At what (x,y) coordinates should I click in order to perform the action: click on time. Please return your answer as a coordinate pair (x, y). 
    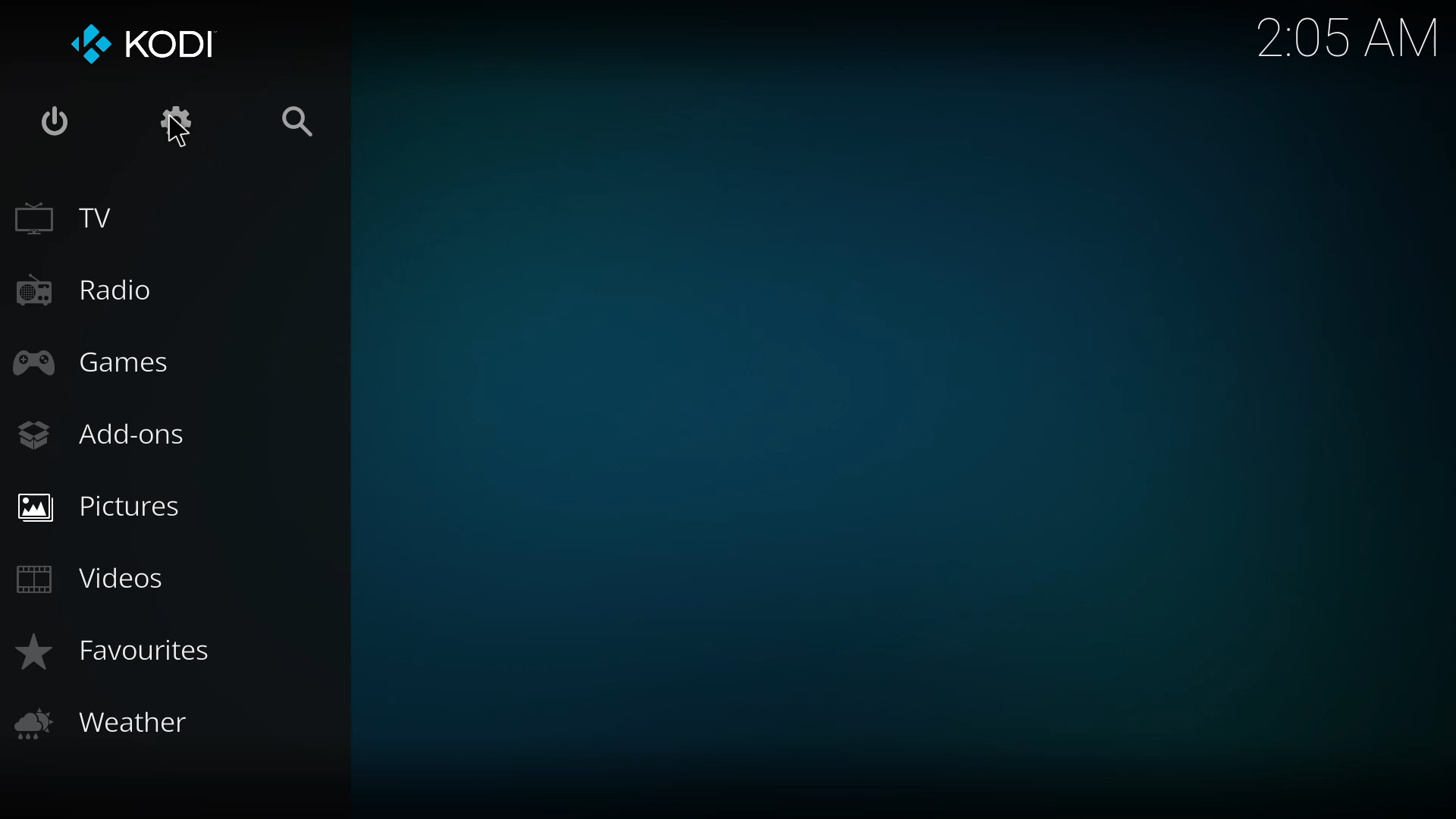
    Looking at the image, I should click on (1348, 36).